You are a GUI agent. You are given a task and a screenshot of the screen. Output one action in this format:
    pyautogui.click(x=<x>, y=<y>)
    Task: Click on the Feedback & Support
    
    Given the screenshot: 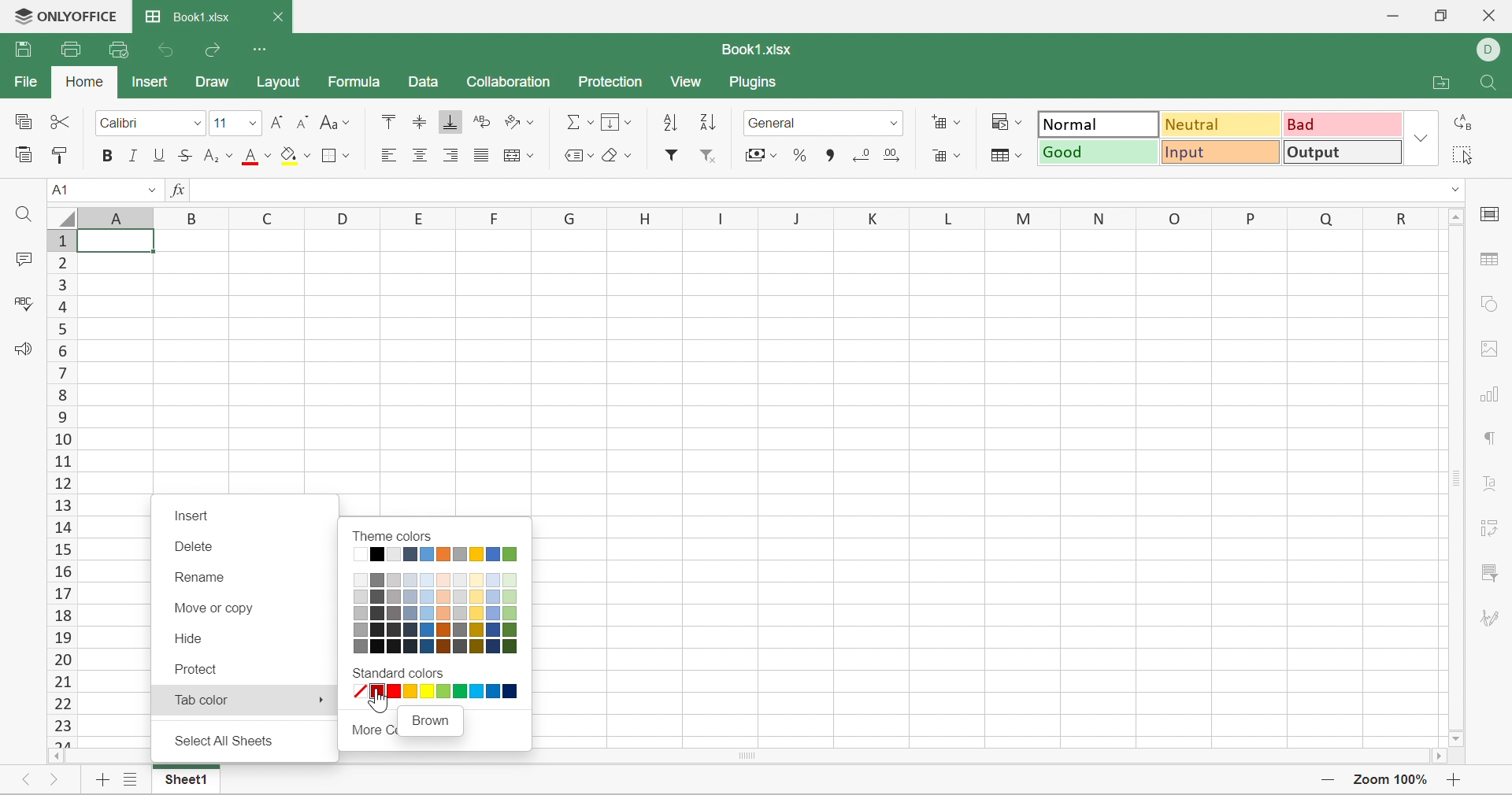 What is the action you would take?
    pyautogui.click(x=21, y=349)
    